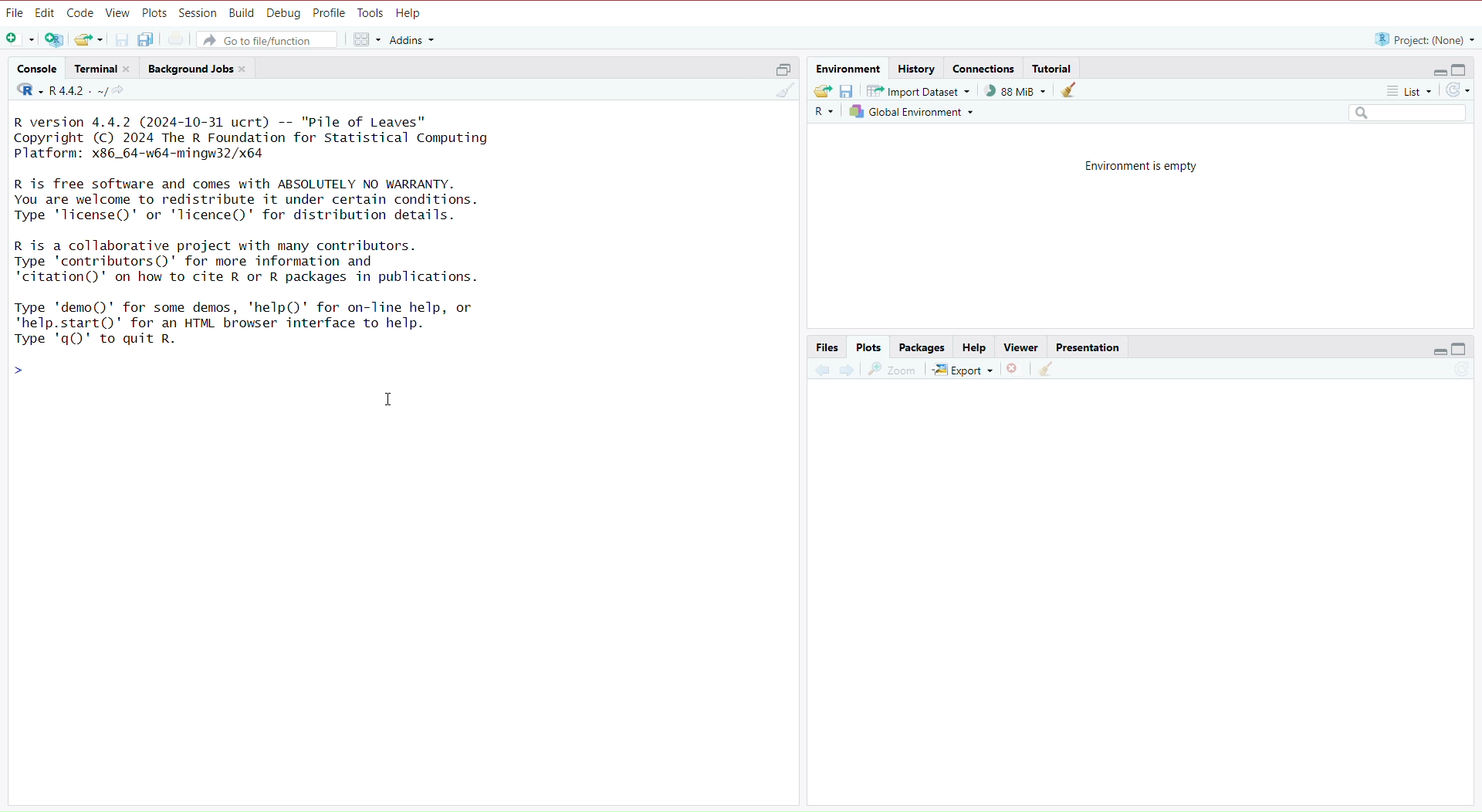 The image size is (1482, 812). Describe the element at coordinates (330, 13) in the screenshot. I see `profile` at that location.